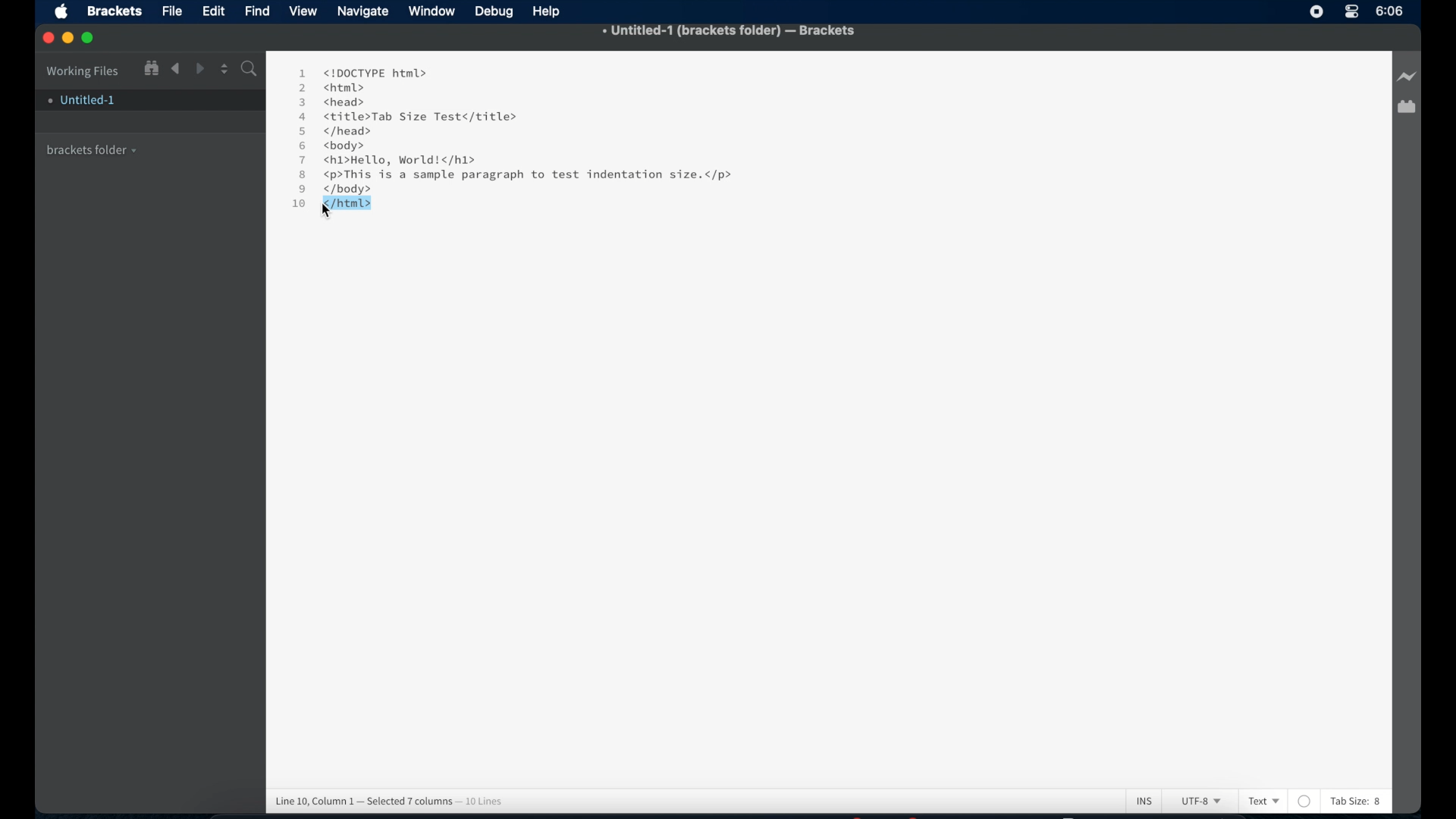 The image size is (1456, 819). I want to click on 9 </body>, so click(346, 189).